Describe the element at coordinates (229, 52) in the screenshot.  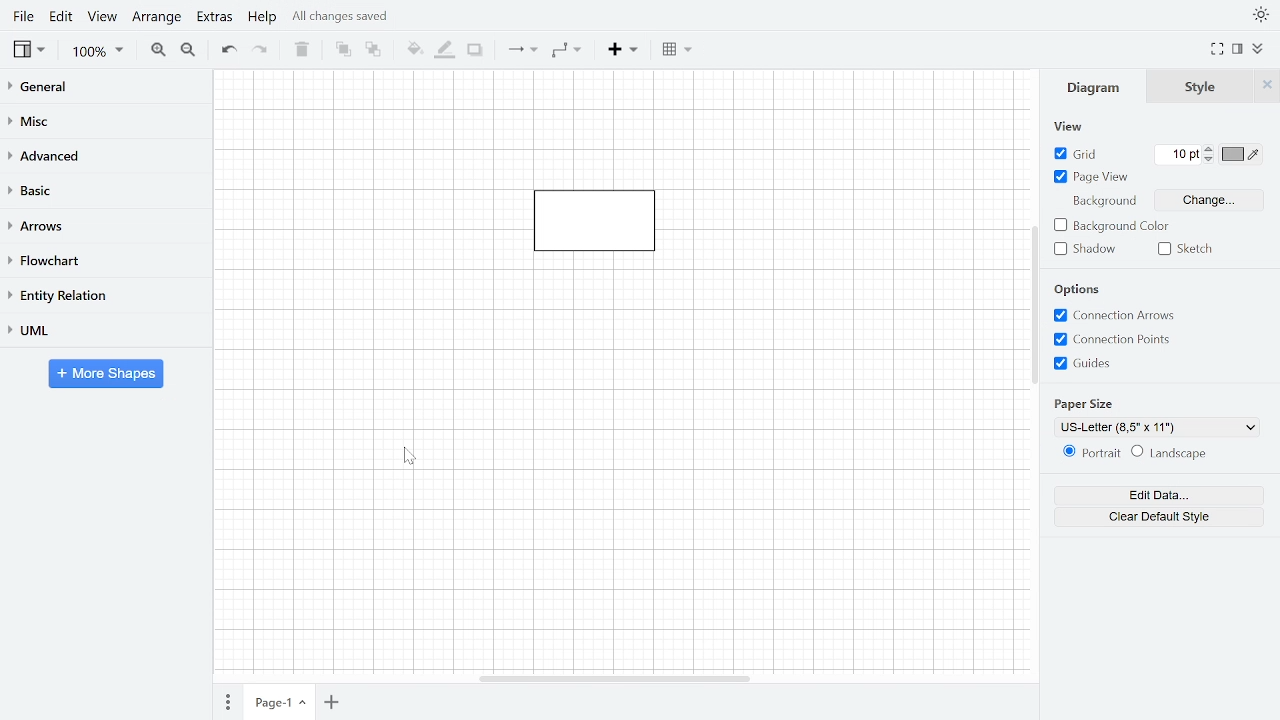
I see `Undo` at that location.